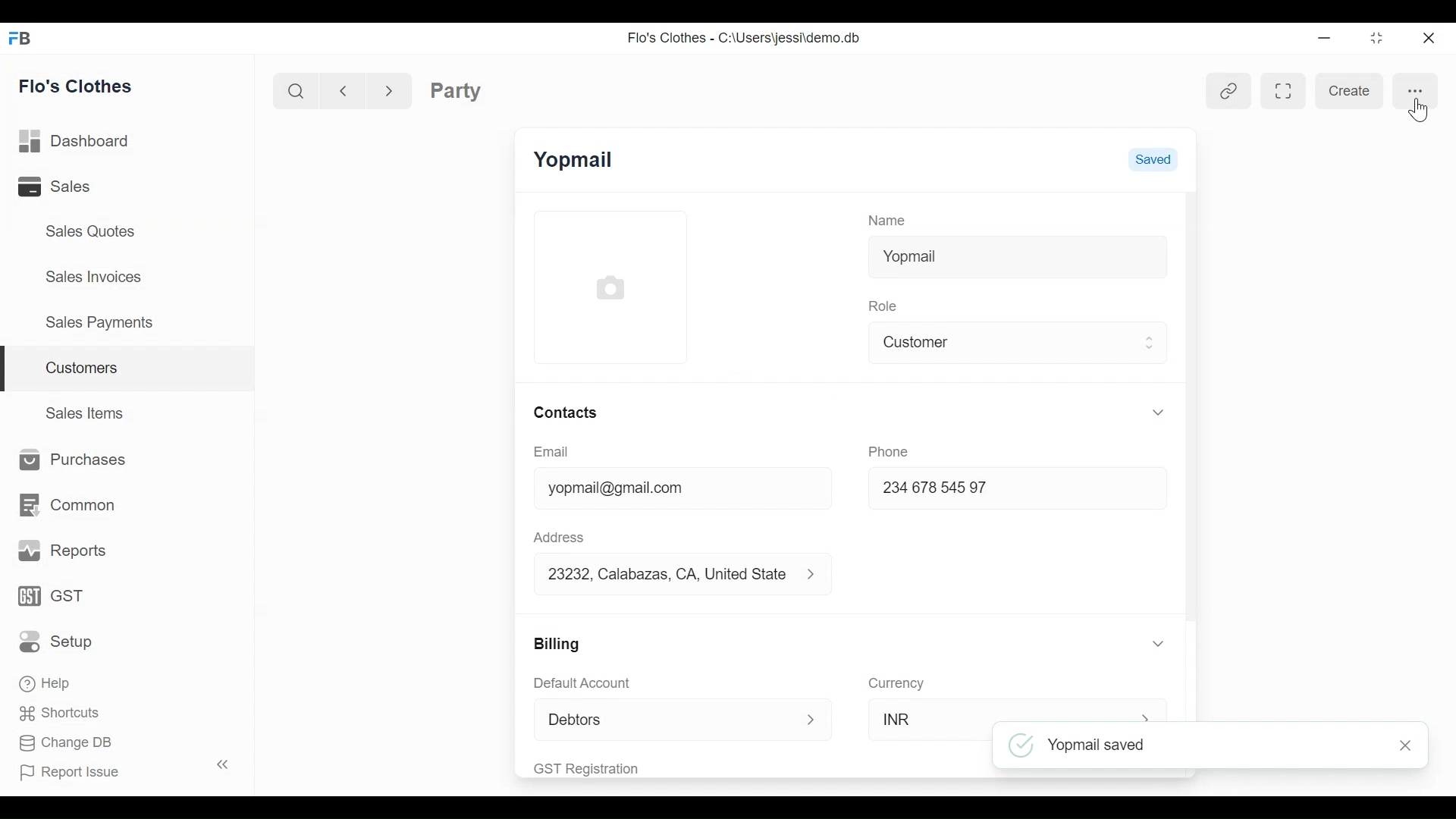 The height and width of the screenshot is (819, 1456). Describe the element at coordinates (389, 89) in the screenshot. I see `Navigate Forward` at that location.